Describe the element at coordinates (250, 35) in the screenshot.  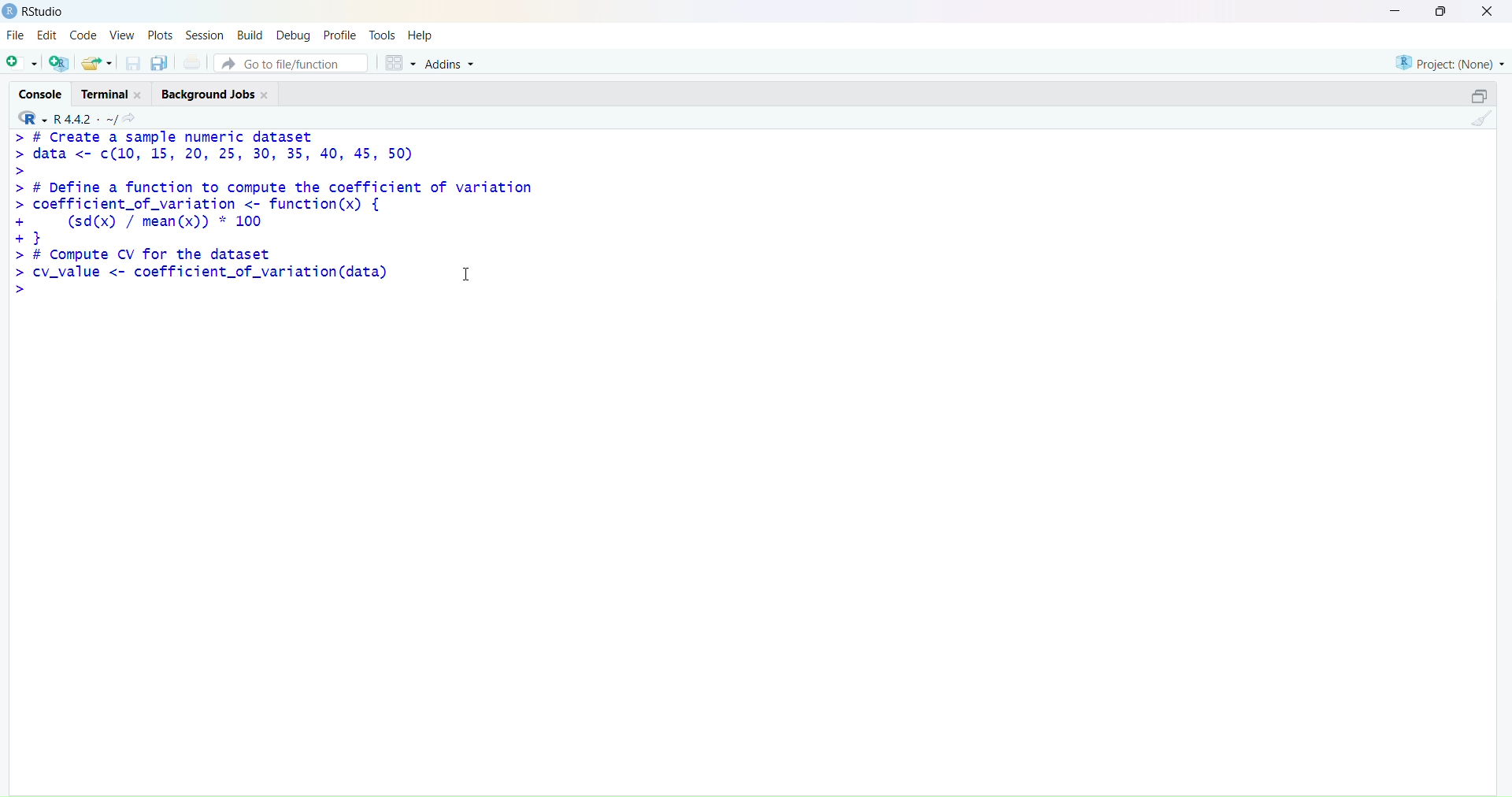
I see `build` at that location.